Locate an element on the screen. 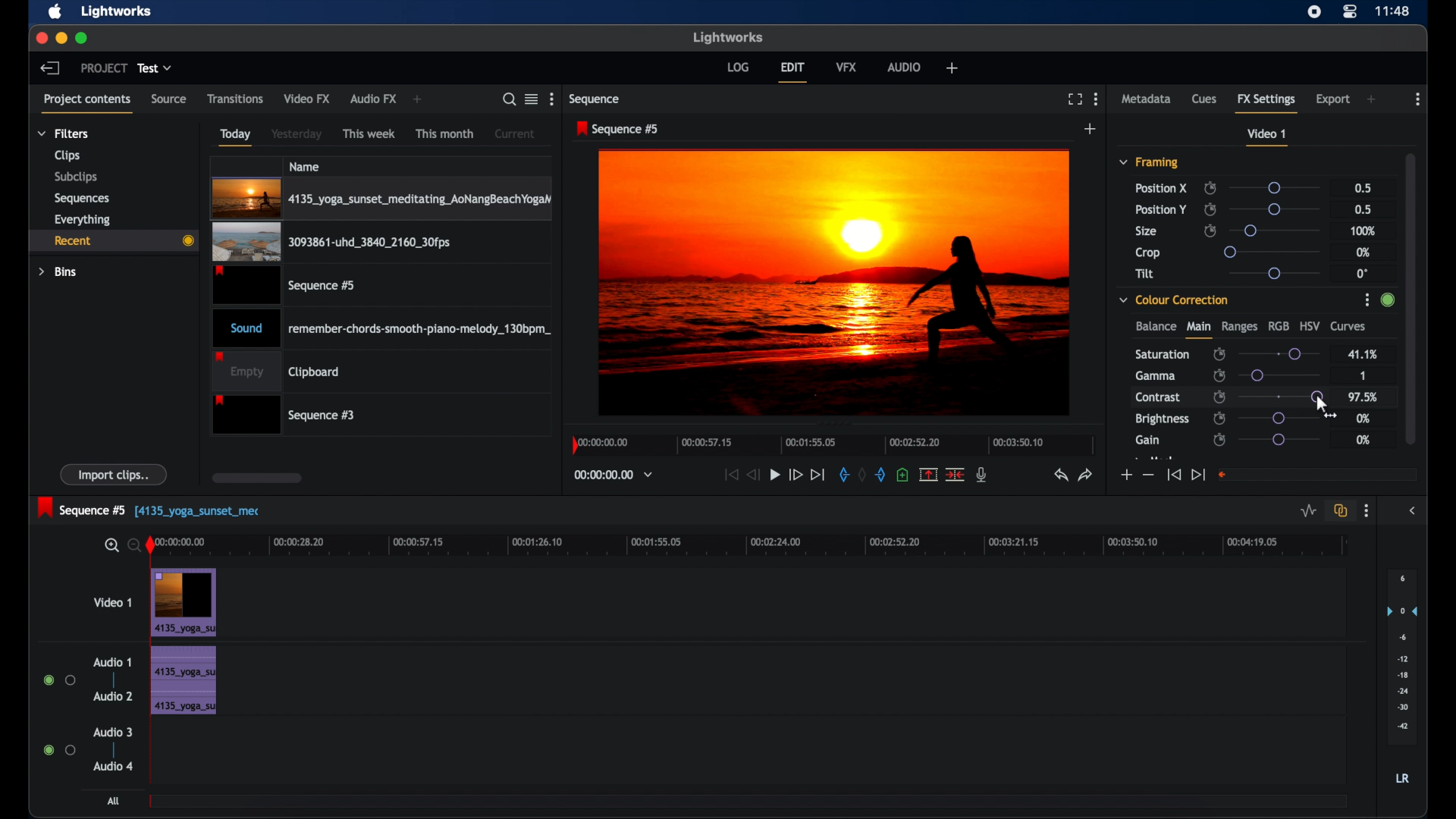  toggle auto track sync is located at coordinates (1338, 510).